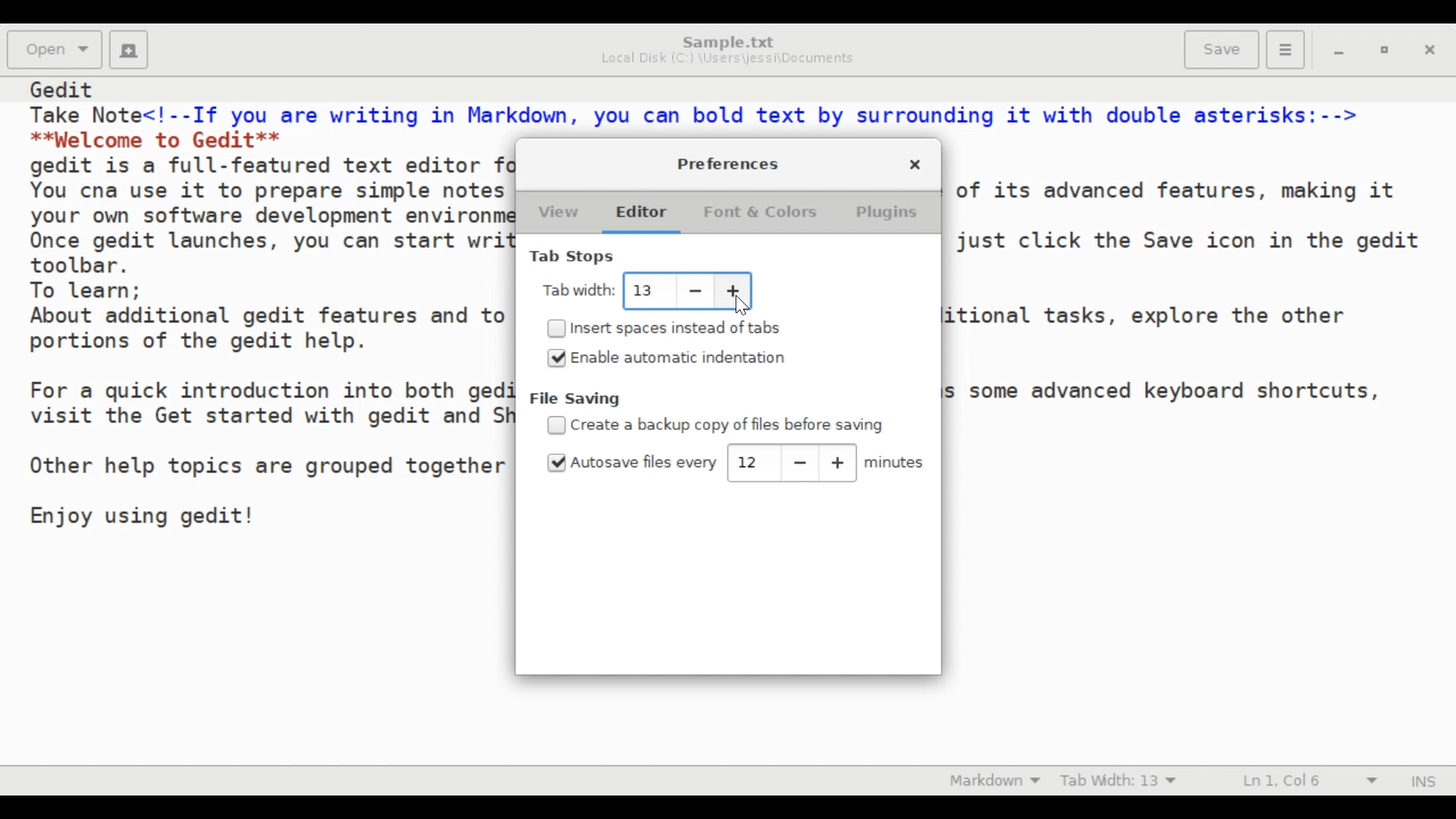  Describe the element at coordinates (728, 60) in the screenshot. I see `Local Disk (C:) \Users\jessi\Documents` at that location.